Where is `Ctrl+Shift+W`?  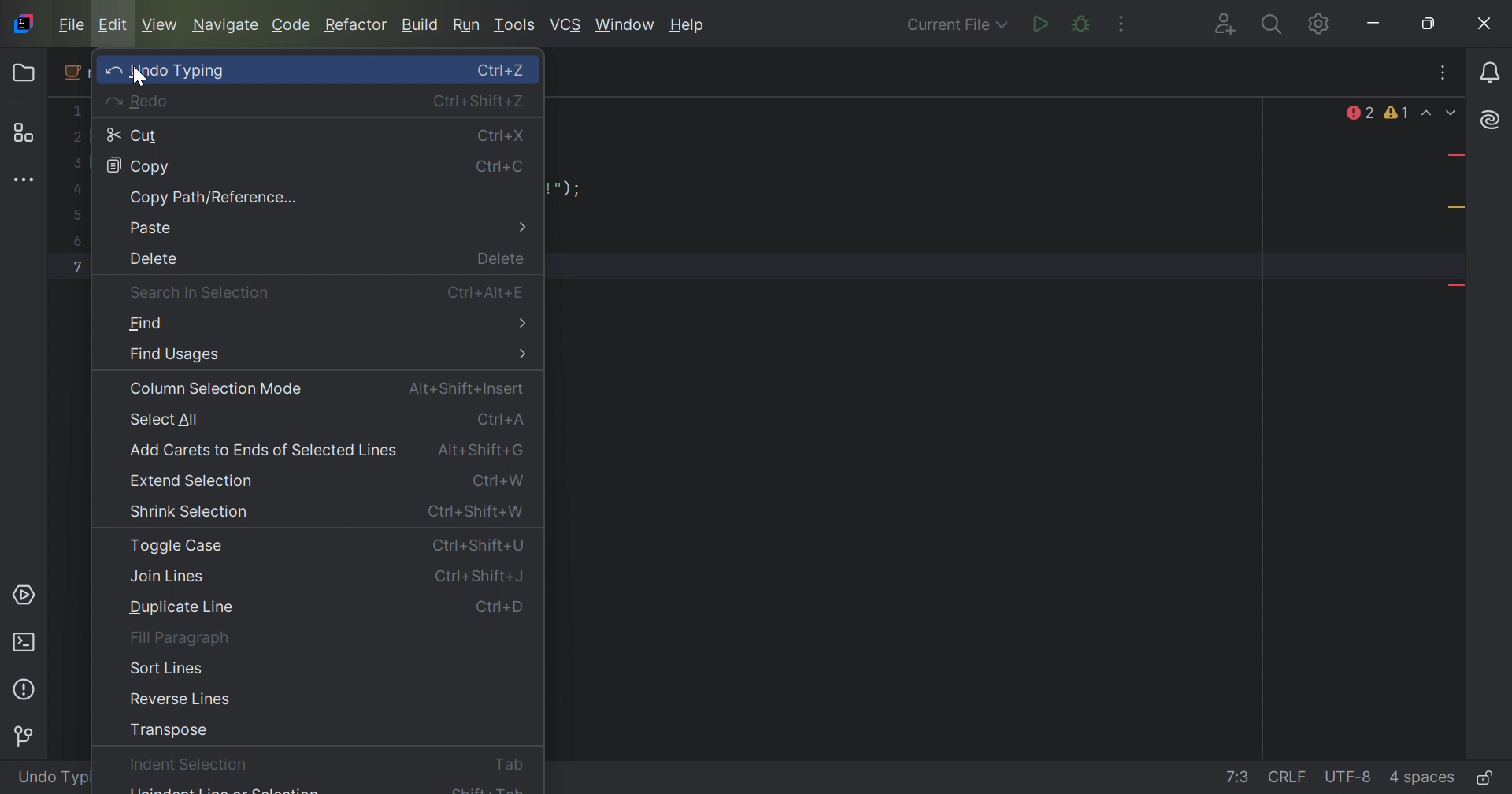
Ctrl+Shift+W is located at coordinates (480, 514).